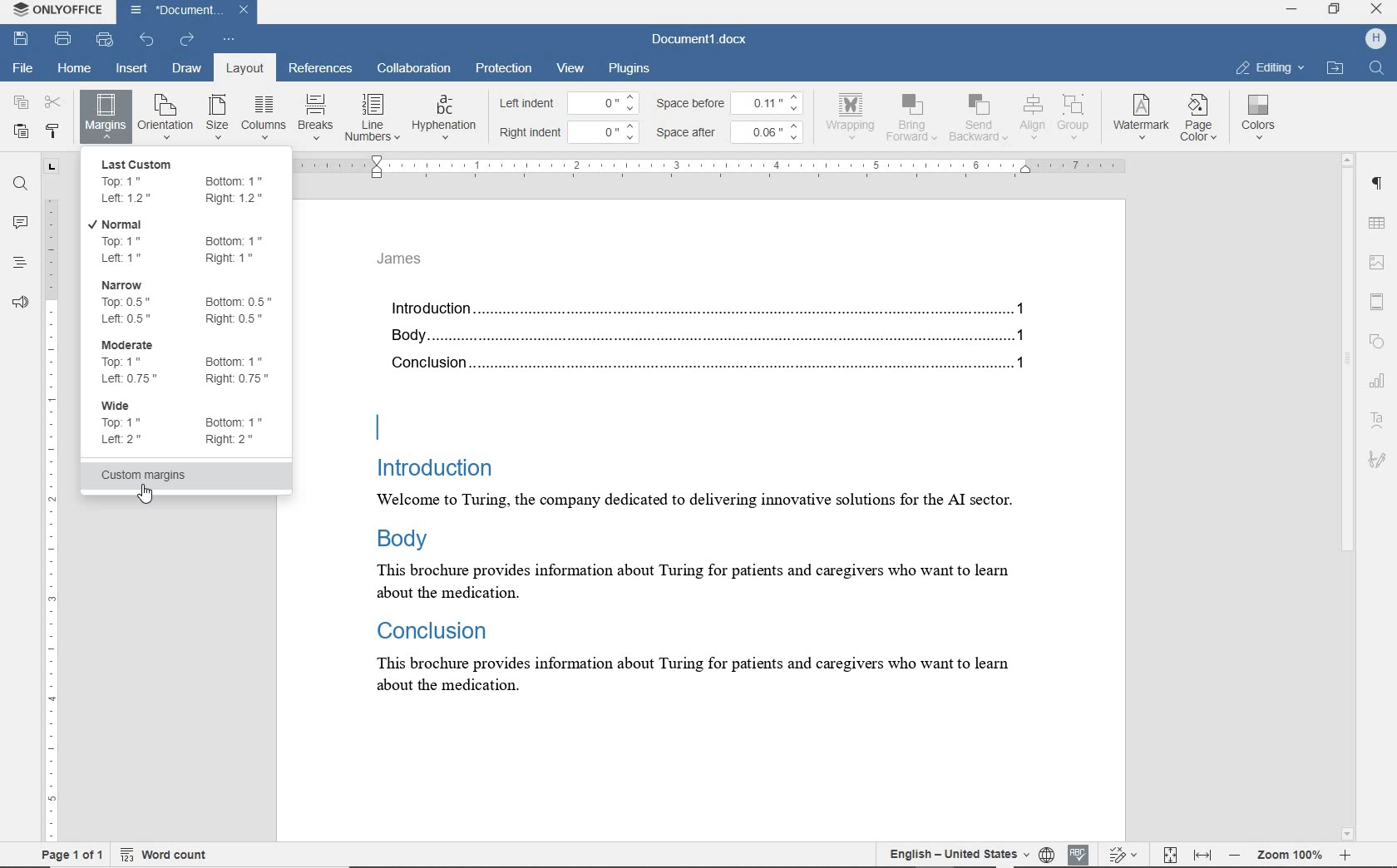 The width and height of the screenshot is (1397, 868). I want to click on comments, so click(20, 223).